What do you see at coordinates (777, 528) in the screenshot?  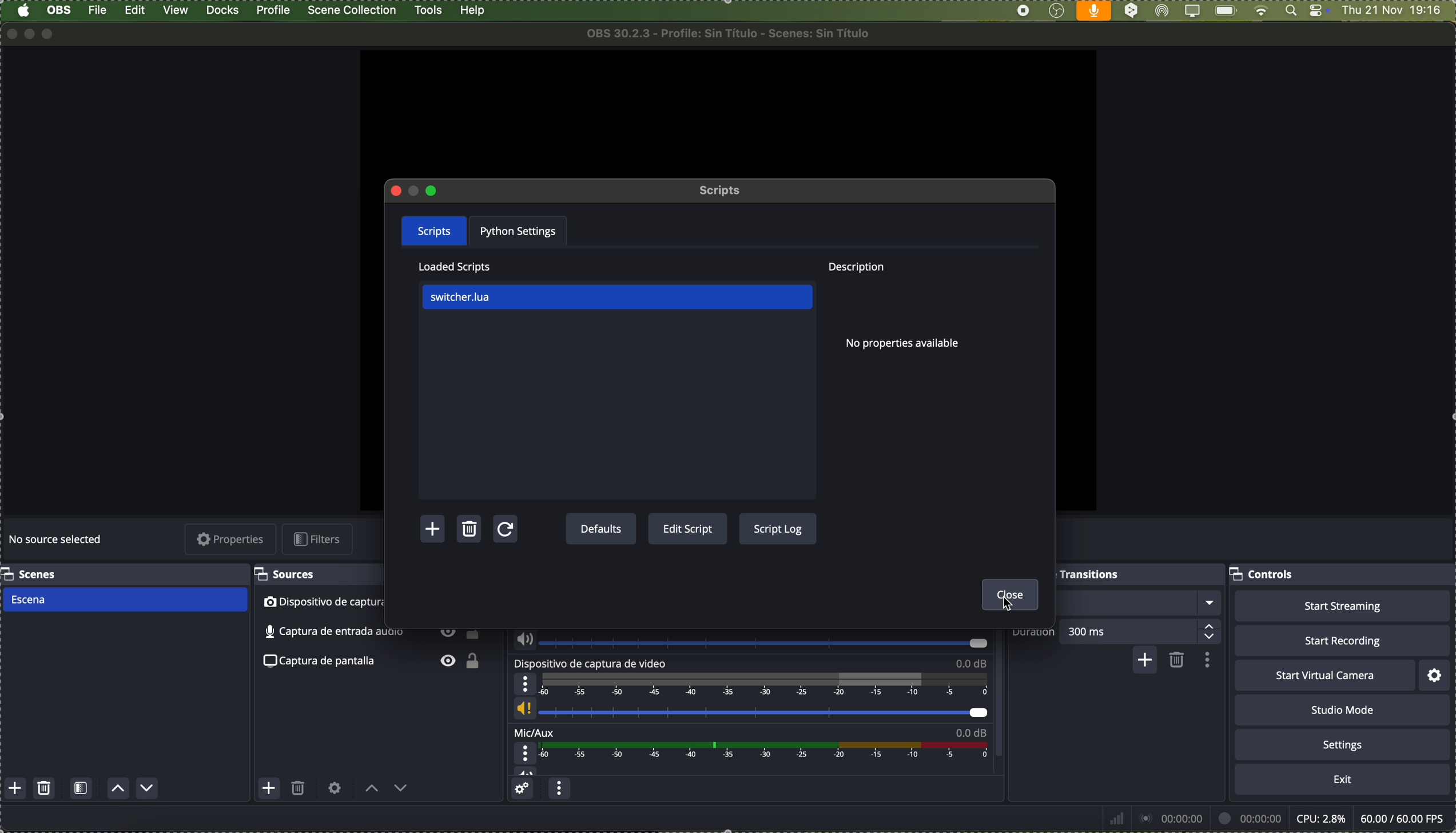 I see `script log button` at bounding box center [777, 528].